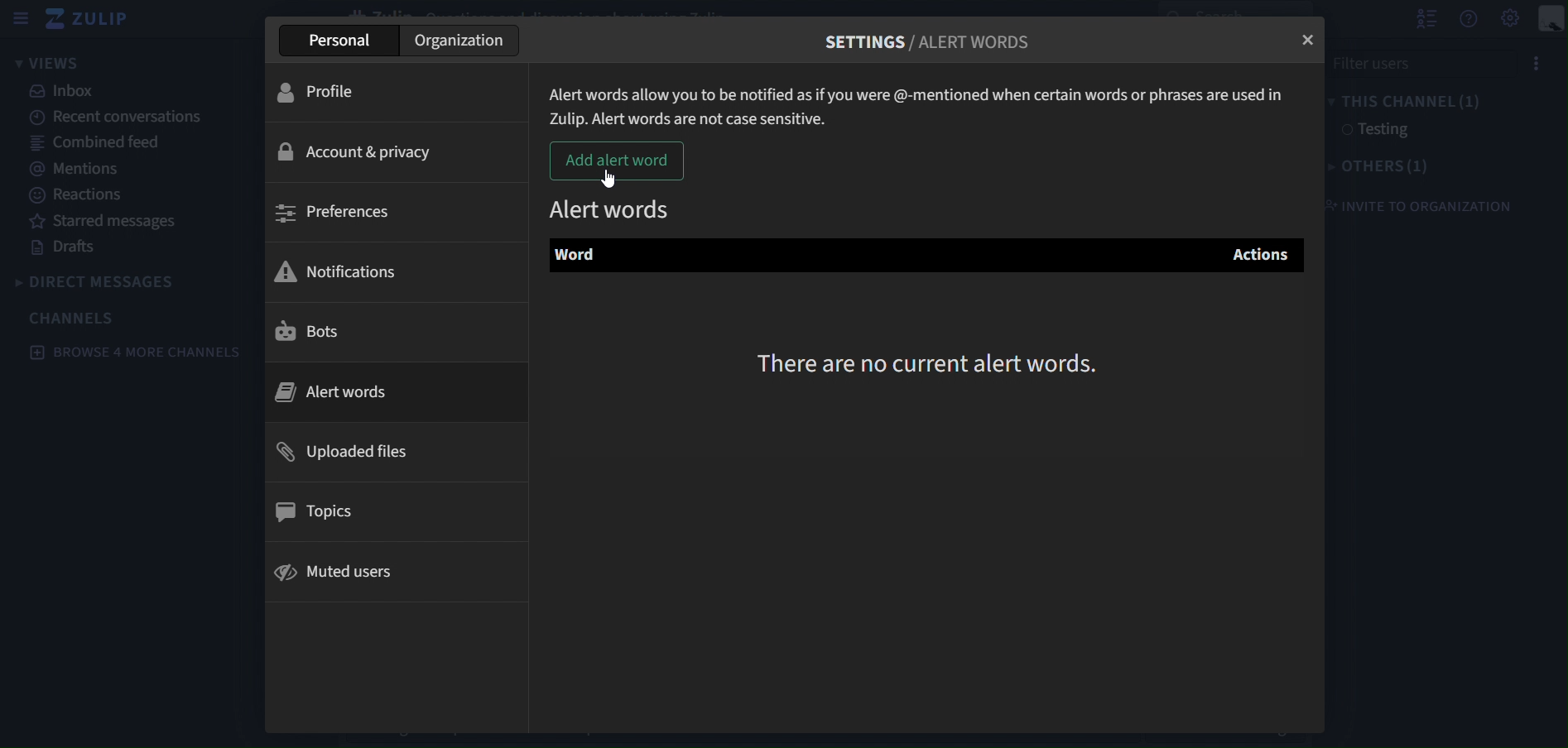 The image size is (1568, 748). I want to click on combined feed, so click(102, 144).